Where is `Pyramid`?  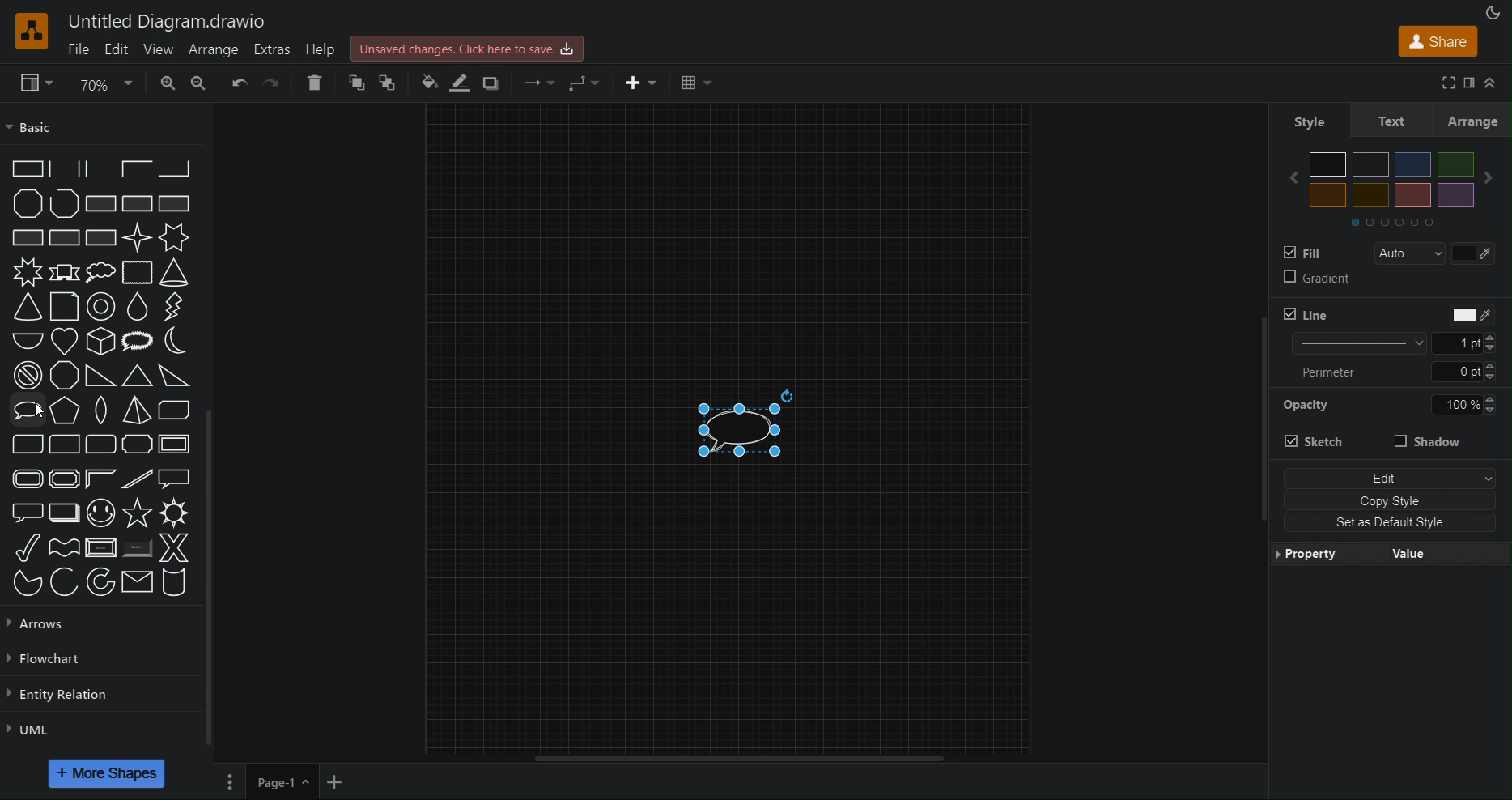
Pyramid is located at coordinates (136, 411).